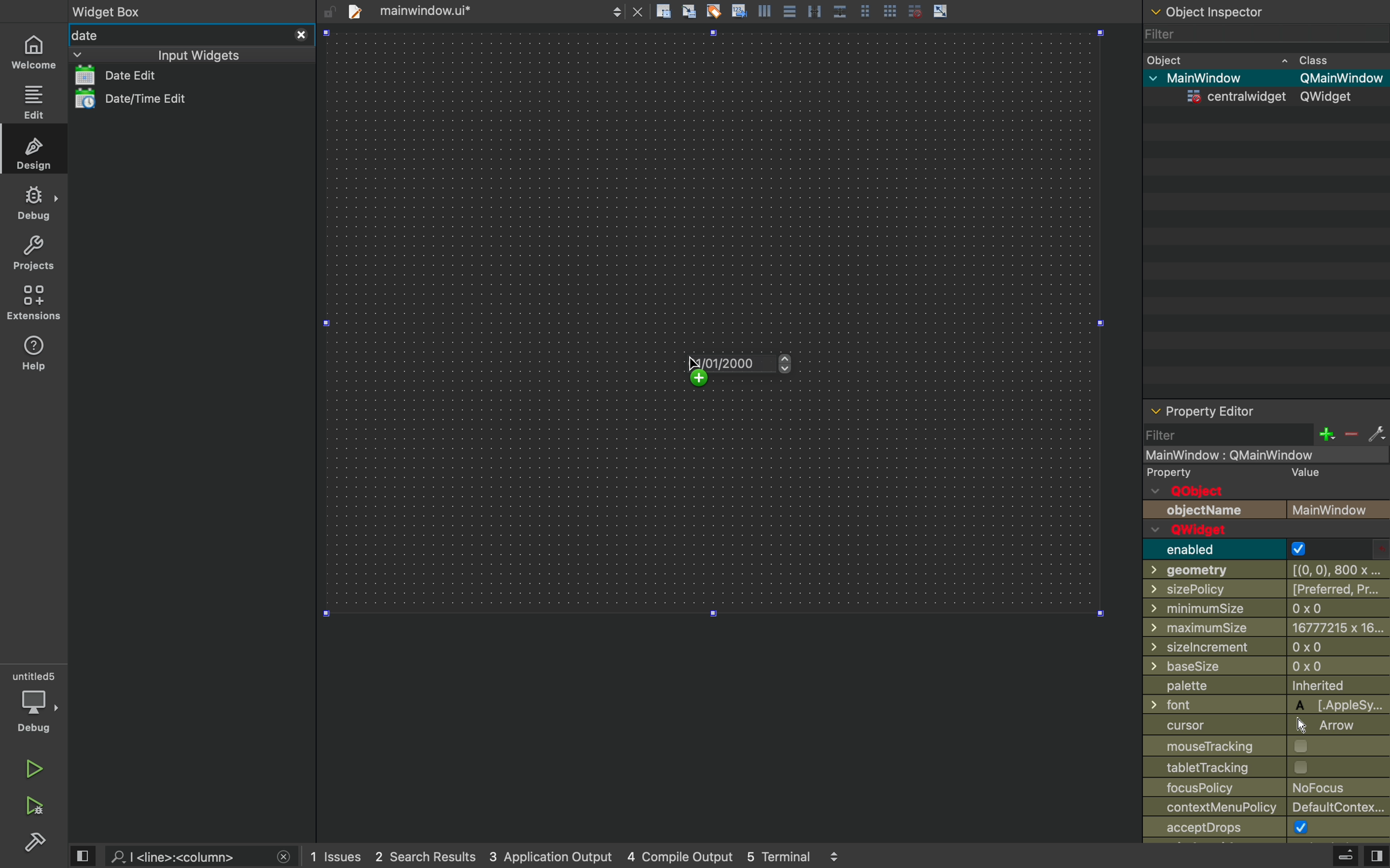 Image resolution: width=1390 pixels, height=868 pixels. Describe the element at coordinates (864, 10) in the screenshot. I see `grid view medium` at that location.